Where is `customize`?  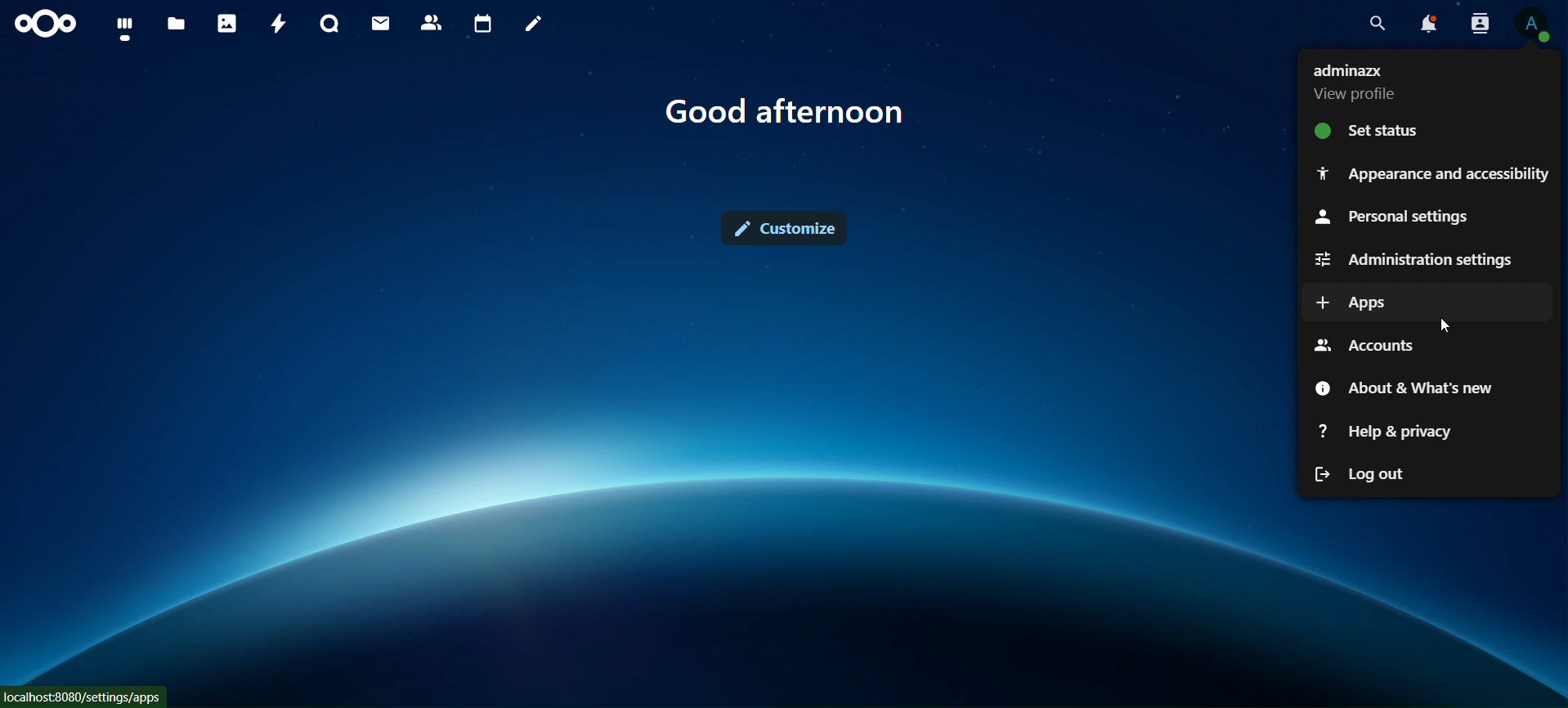
customize is located at coordinates (790, 225).